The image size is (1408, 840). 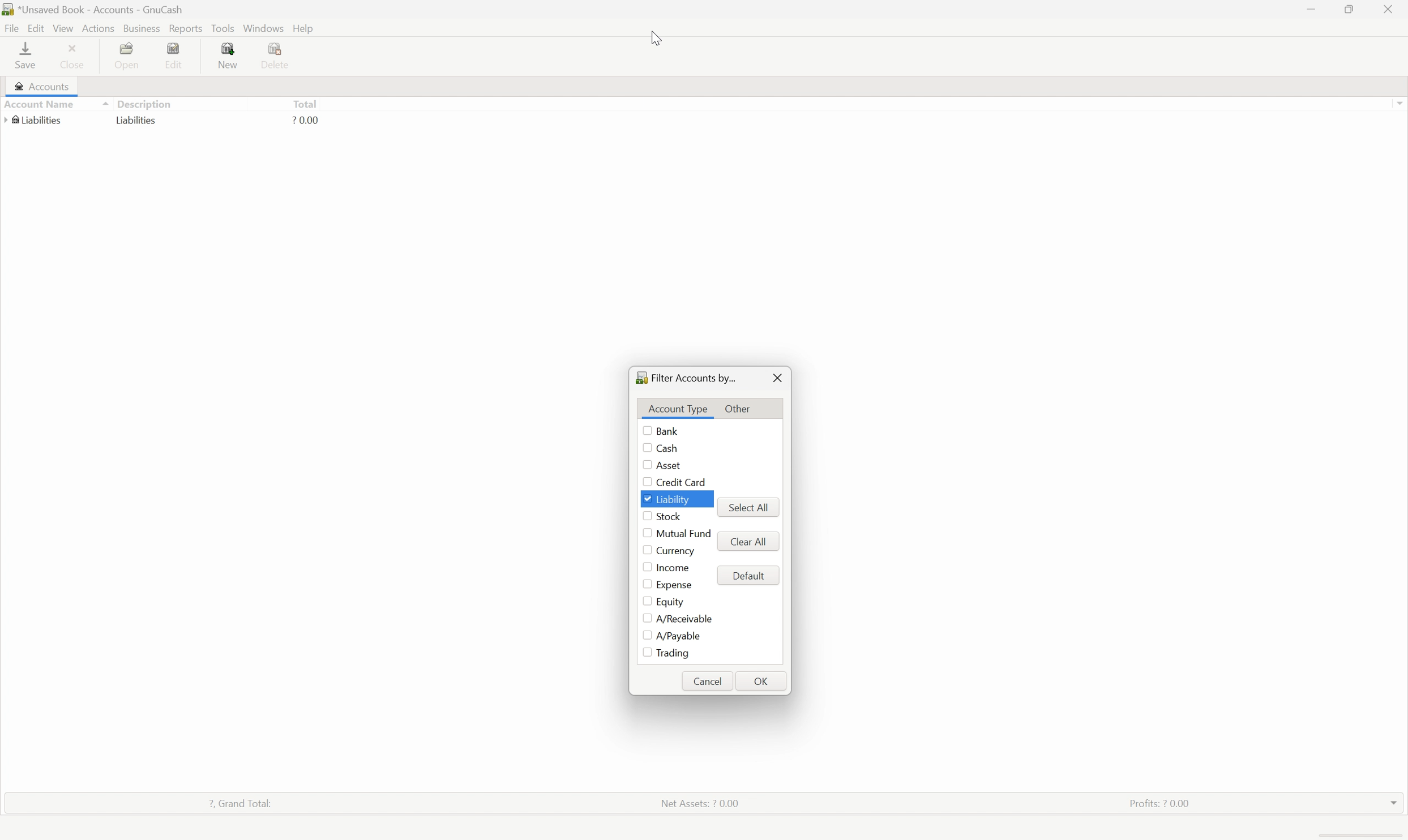 I want to click on Checkbox, so click(x=645, y=448).